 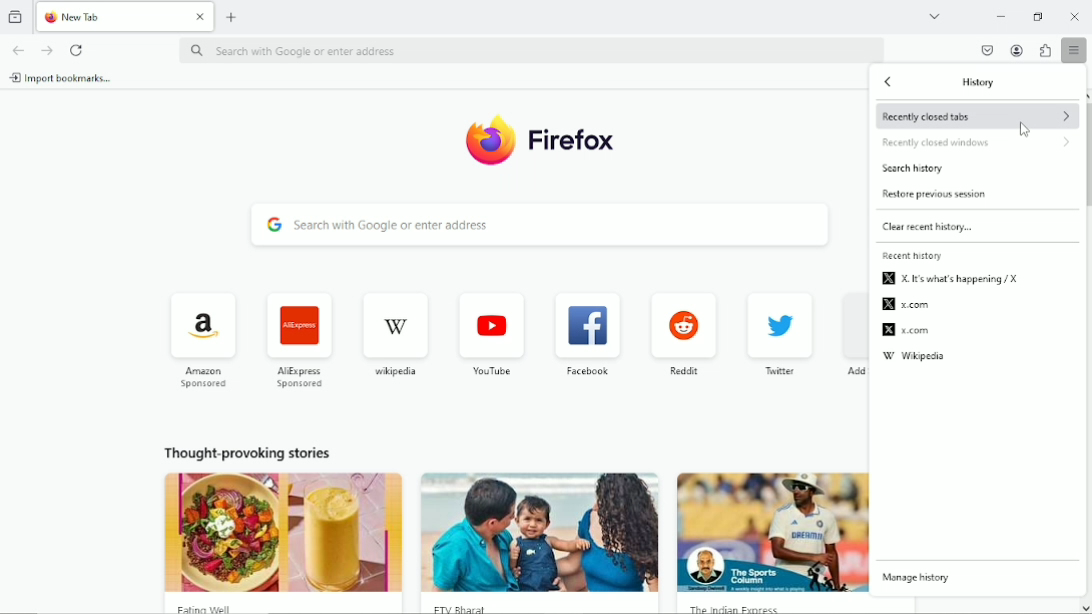 What do you see at coordinates (985, 49) in the screenshot?
I see `save to pocket` at bounding box center [985, 49].